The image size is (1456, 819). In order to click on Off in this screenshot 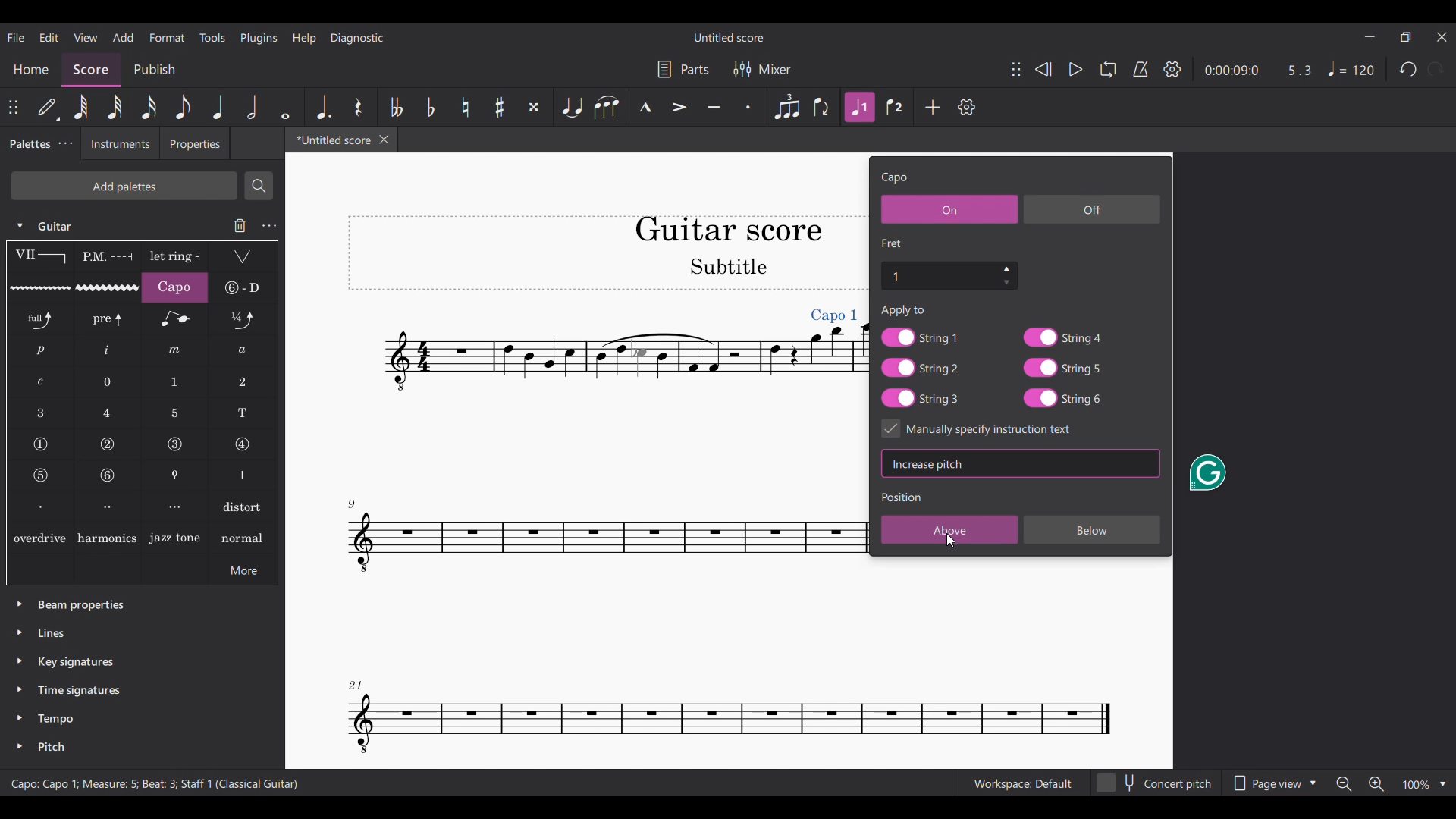, I will do `click(1092, 209)`.